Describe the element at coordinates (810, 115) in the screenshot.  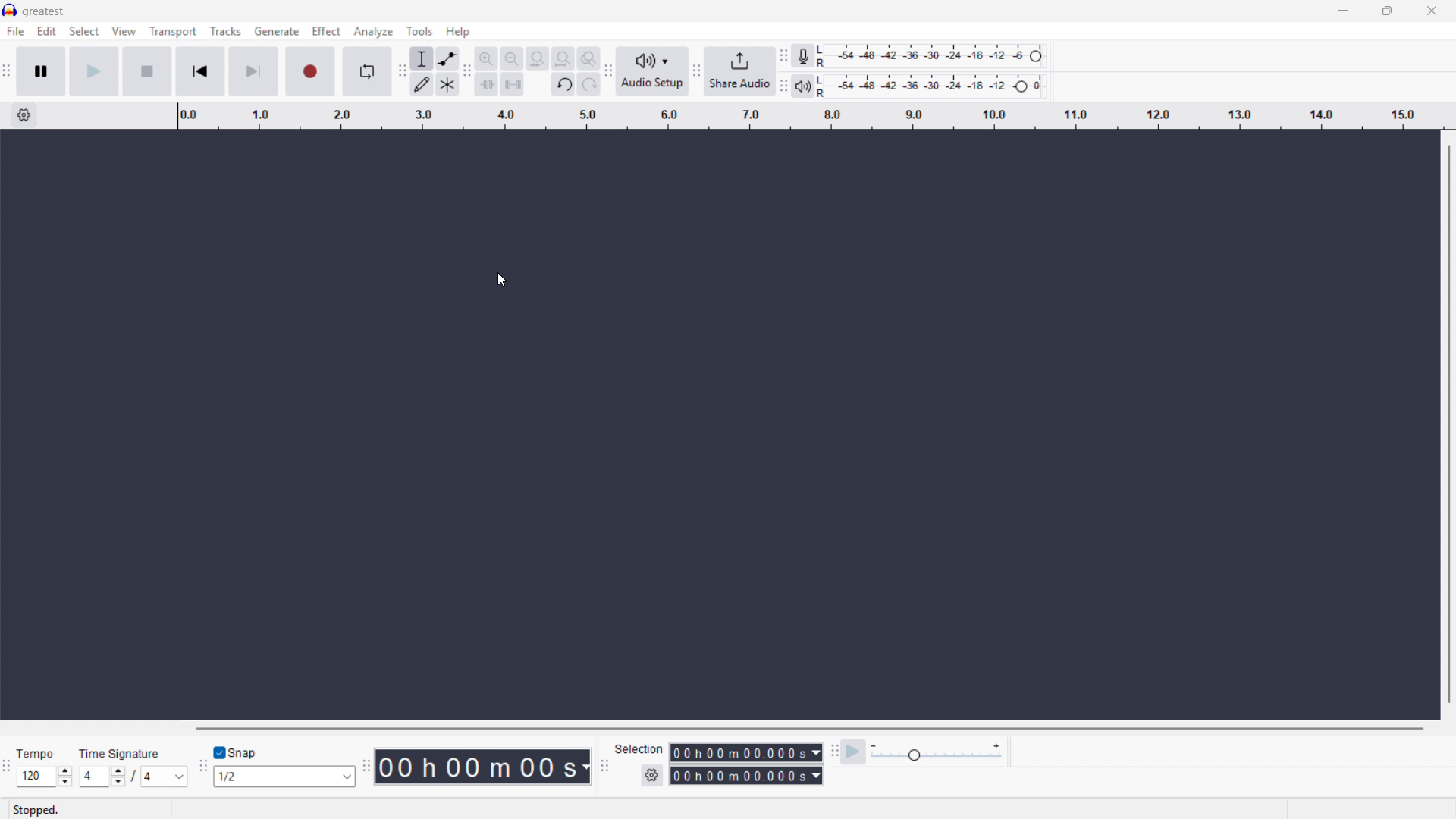
I see `Timeline ` at that location.